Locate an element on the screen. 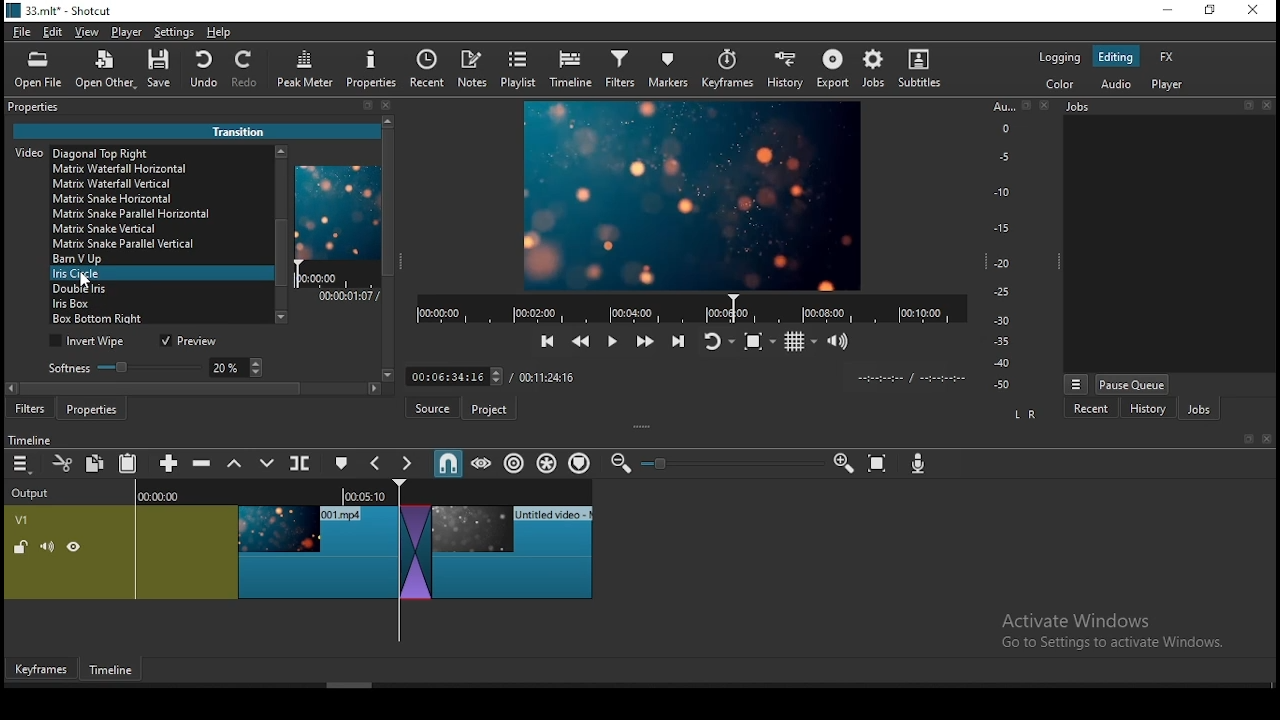  transition option is located at coordinates (159, 182).